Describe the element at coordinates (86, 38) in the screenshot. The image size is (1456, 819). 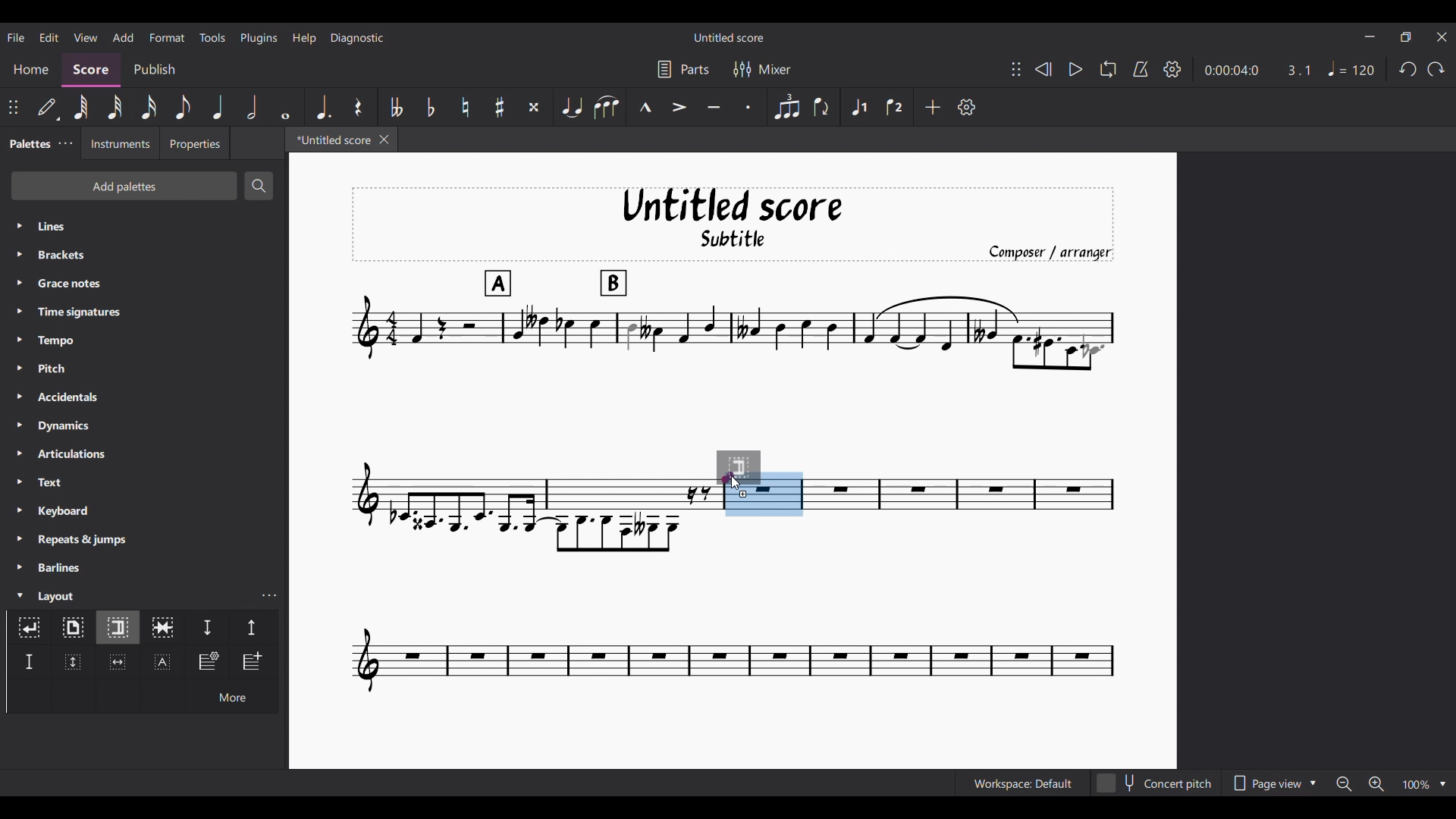
I see `View menu` at that location.